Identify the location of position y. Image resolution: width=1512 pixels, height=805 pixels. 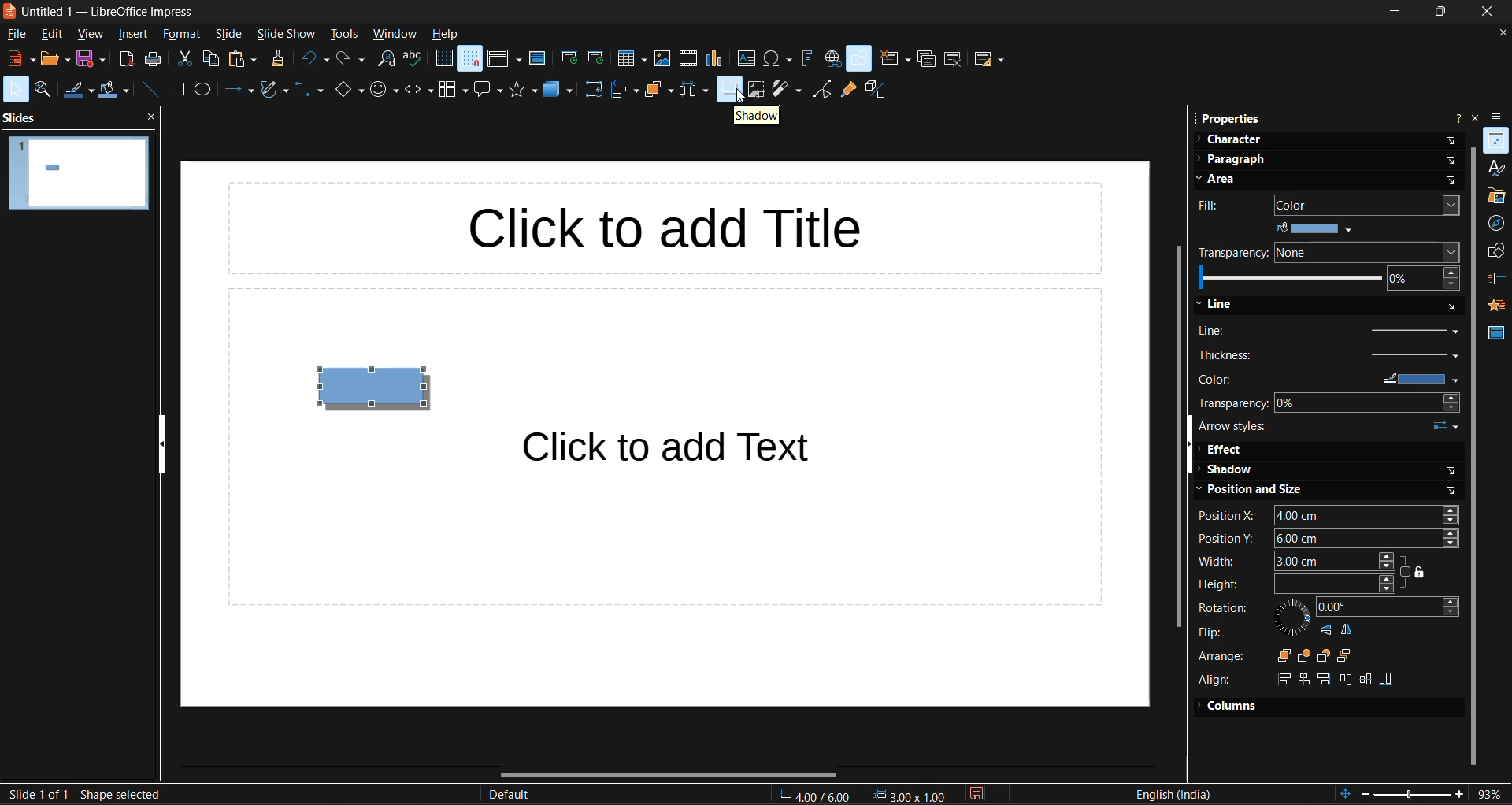
(1329, 538).